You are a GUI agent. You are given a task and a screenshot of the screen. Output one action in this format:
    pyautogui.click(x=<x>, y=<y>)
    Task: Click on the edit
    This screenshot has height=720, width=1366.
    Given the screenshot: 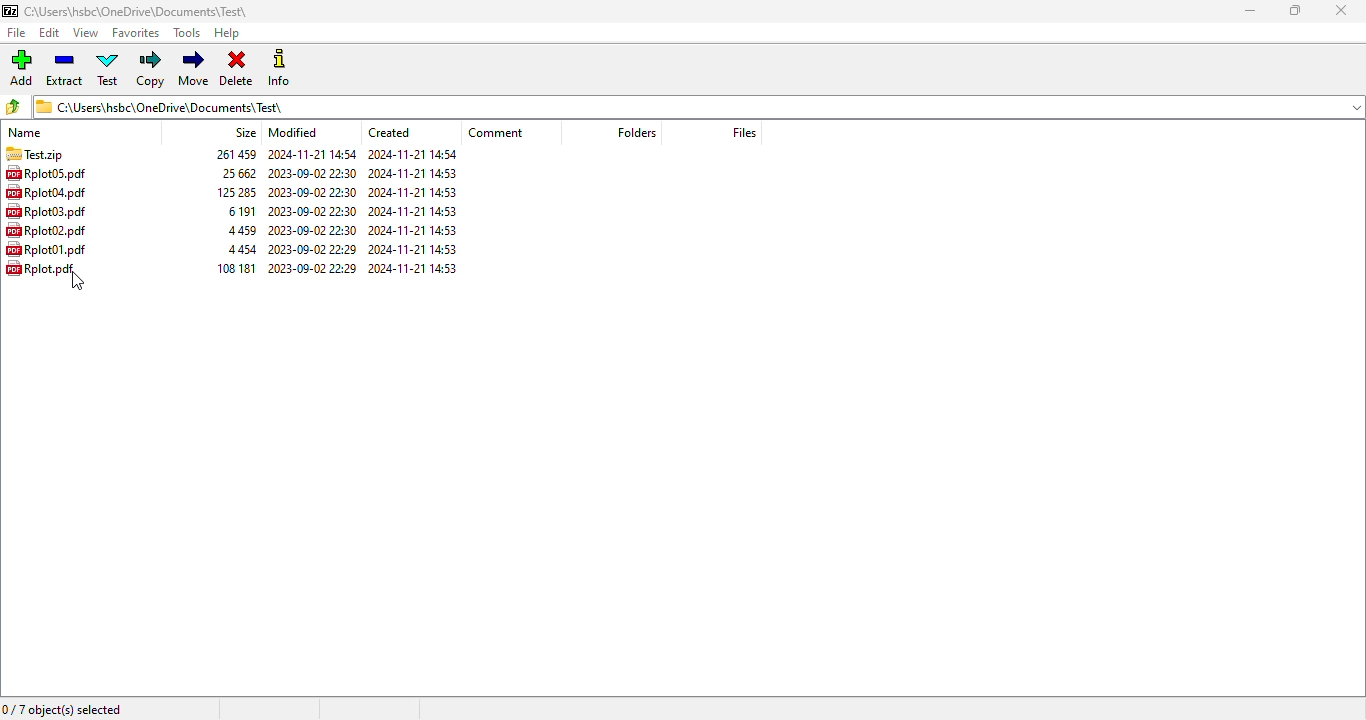 What is the action you would take?
    pyautogui.click(x=49, y=32)
    